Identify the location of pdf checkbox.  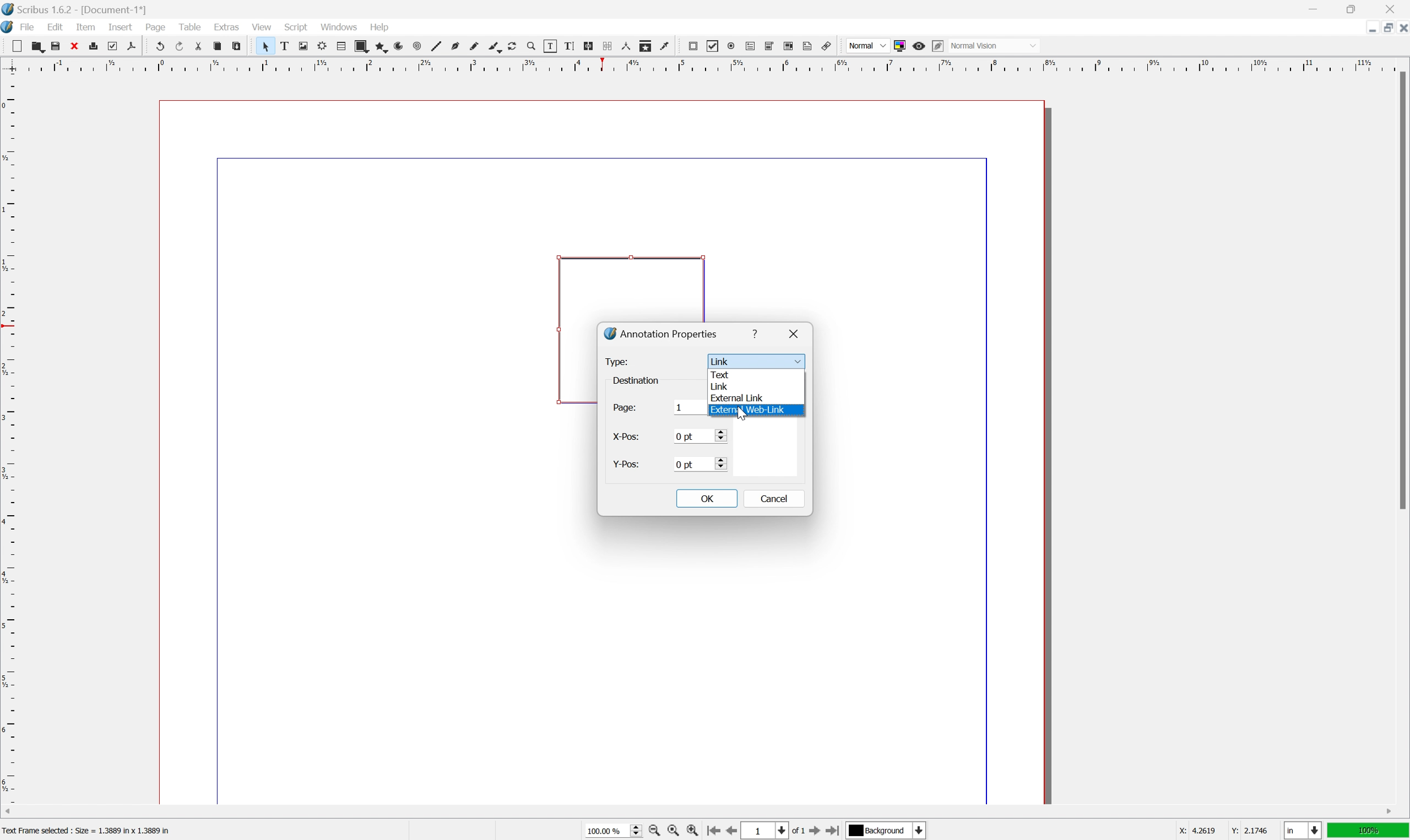
(713, 47).